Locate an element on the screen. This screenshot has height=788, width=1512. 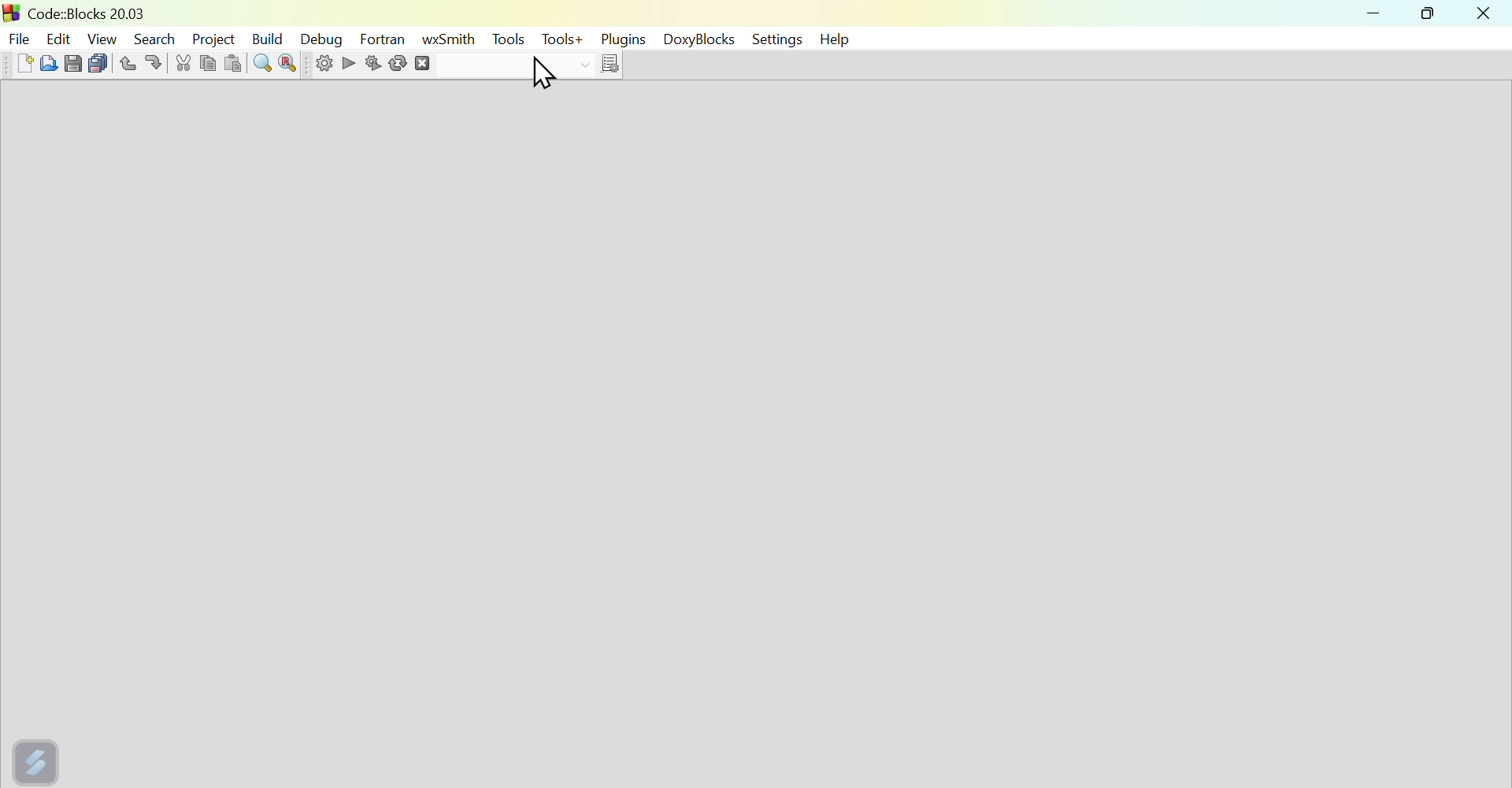
Open is located at coordinates (46, 62).